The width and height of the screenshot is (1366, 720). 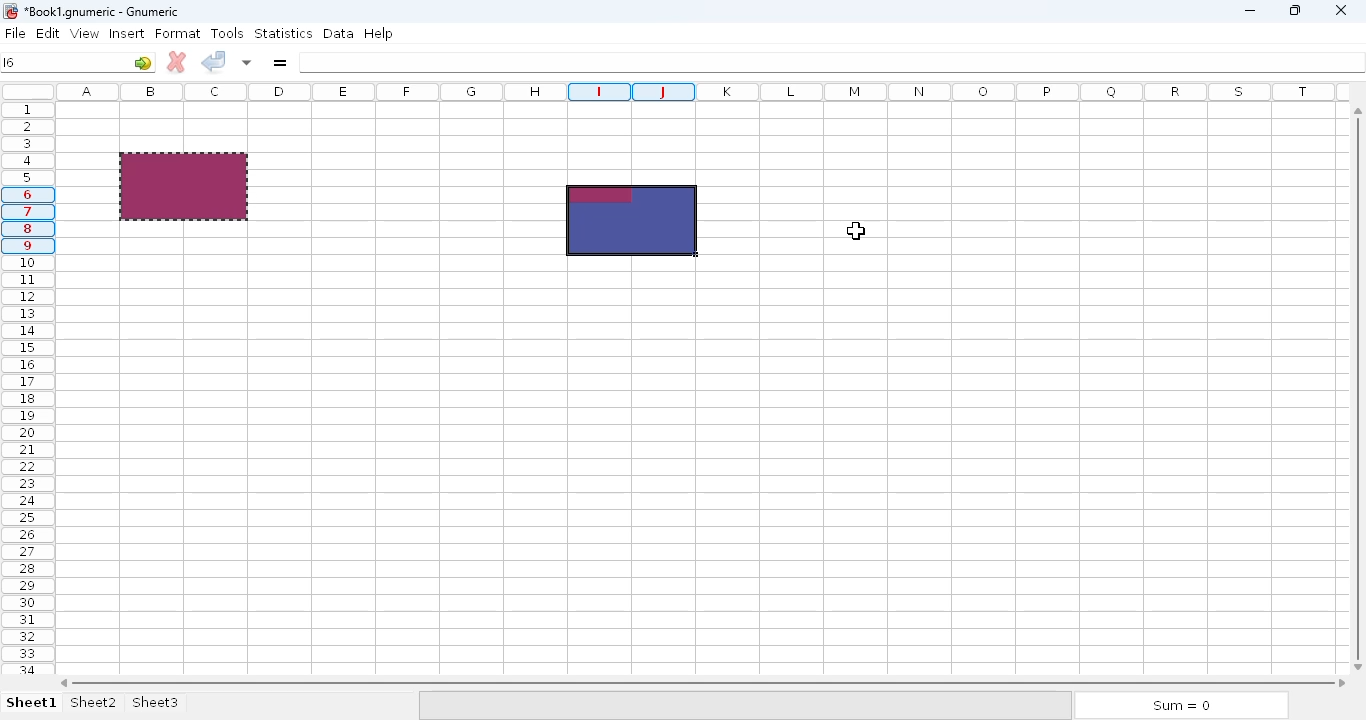 I want to click on help, so click(x=378, y=34).